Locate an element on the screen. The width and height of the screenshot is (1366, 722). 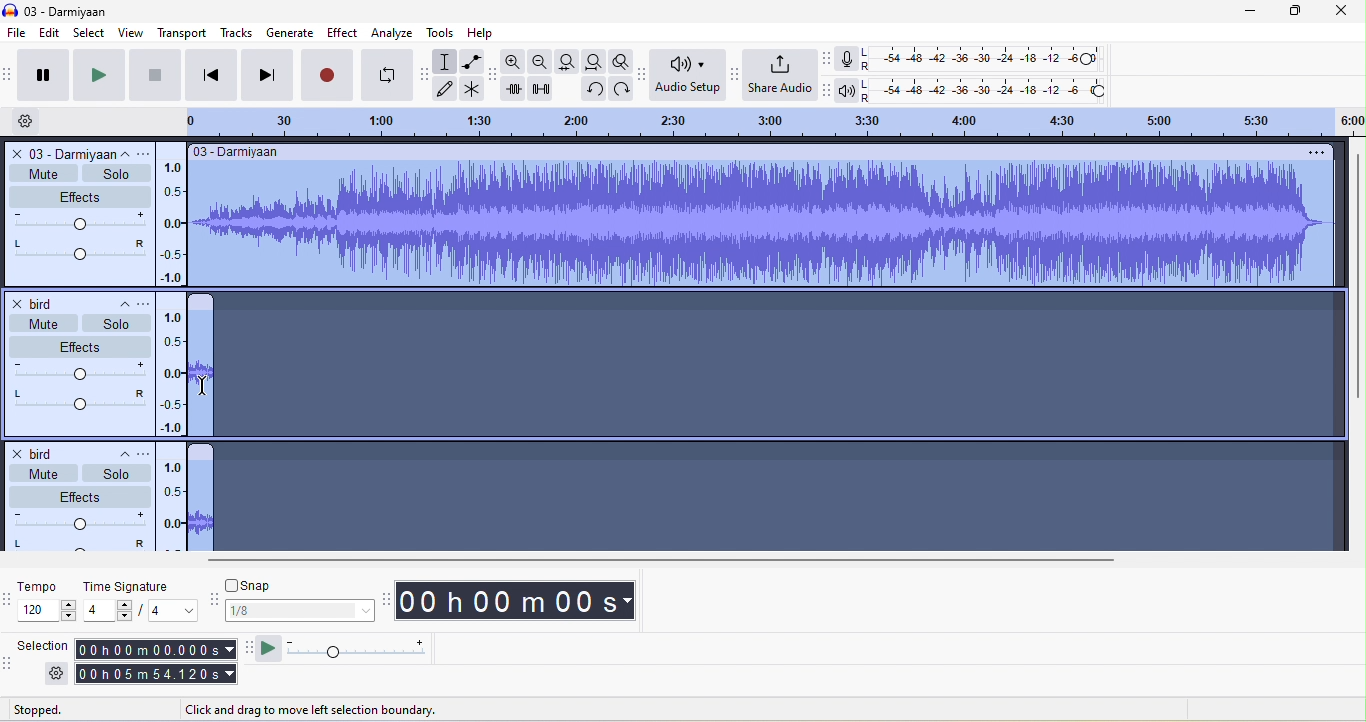
audacity play at speed toolbar is located at coordinates (250, 649).